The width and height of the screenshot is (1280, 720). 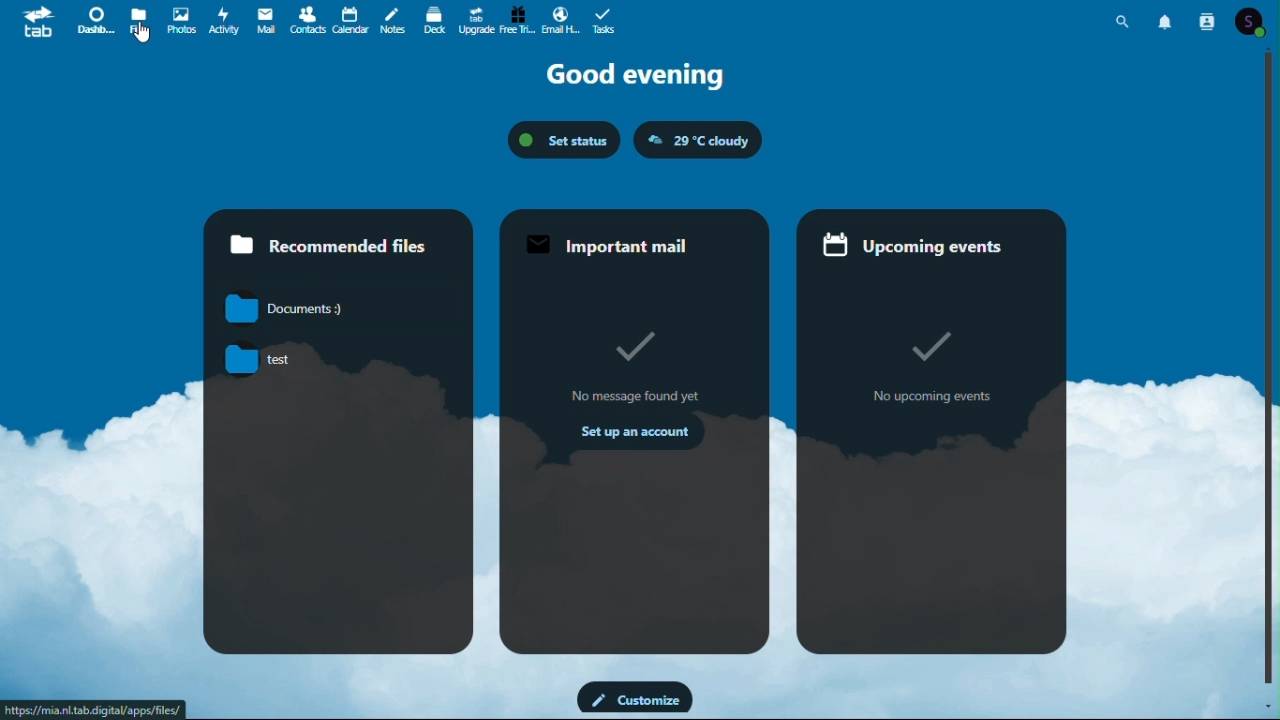 I want to click on dashboard, so click(x=91, y=20).